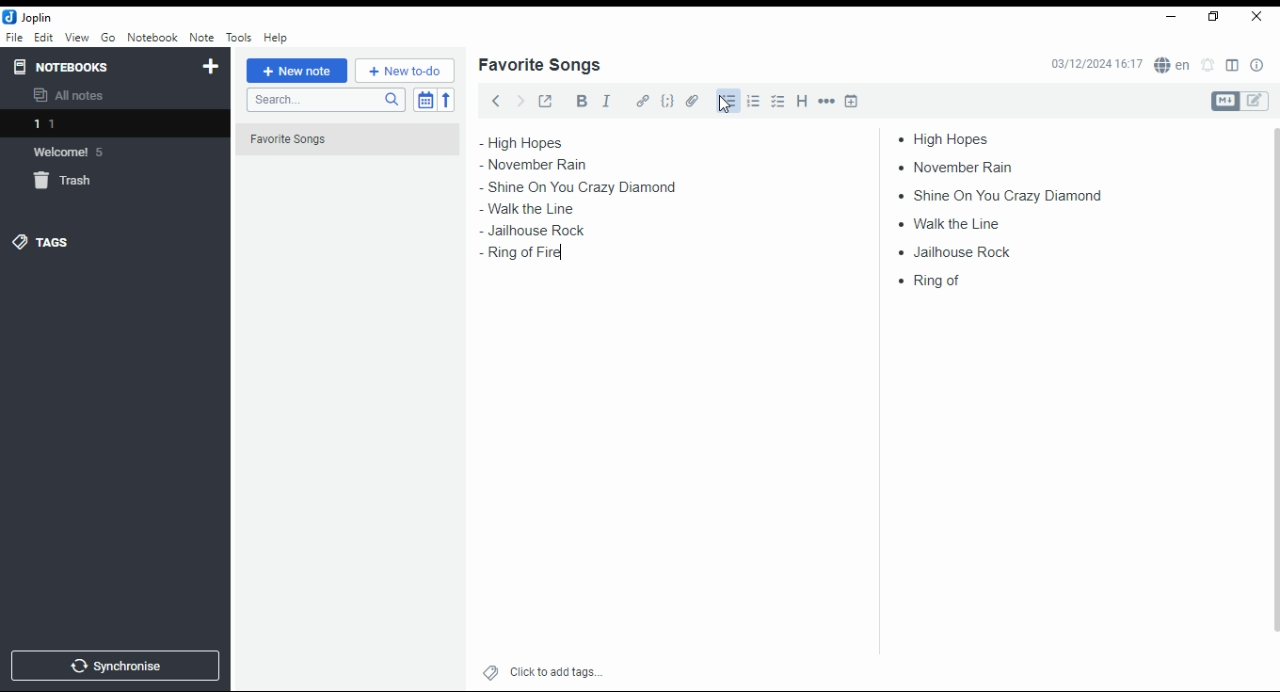  I want to click on mouse pointer, so click(725, 104).